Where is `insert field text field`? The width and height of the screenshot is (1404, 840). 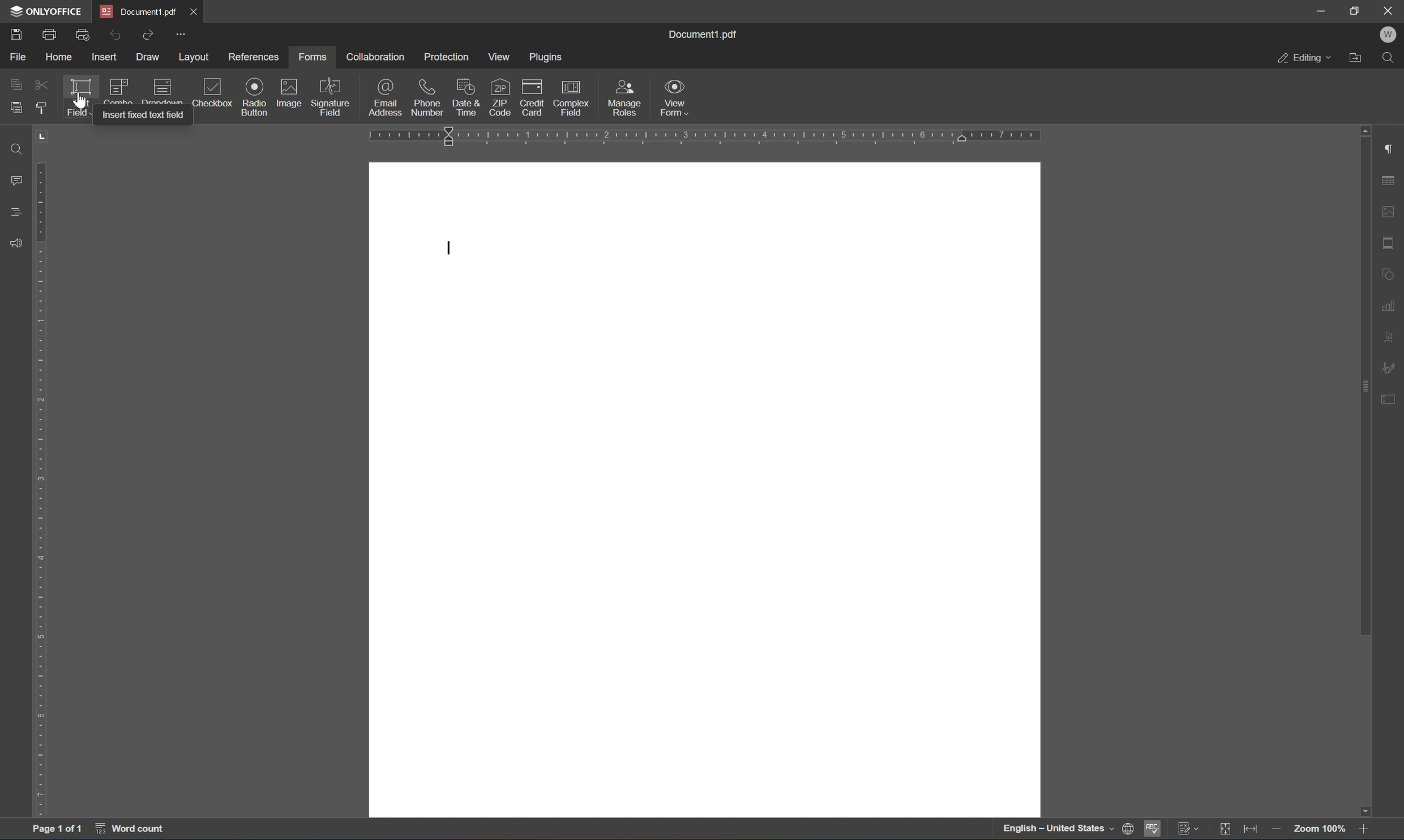
insert field text field is located at coordinates (140, 117).